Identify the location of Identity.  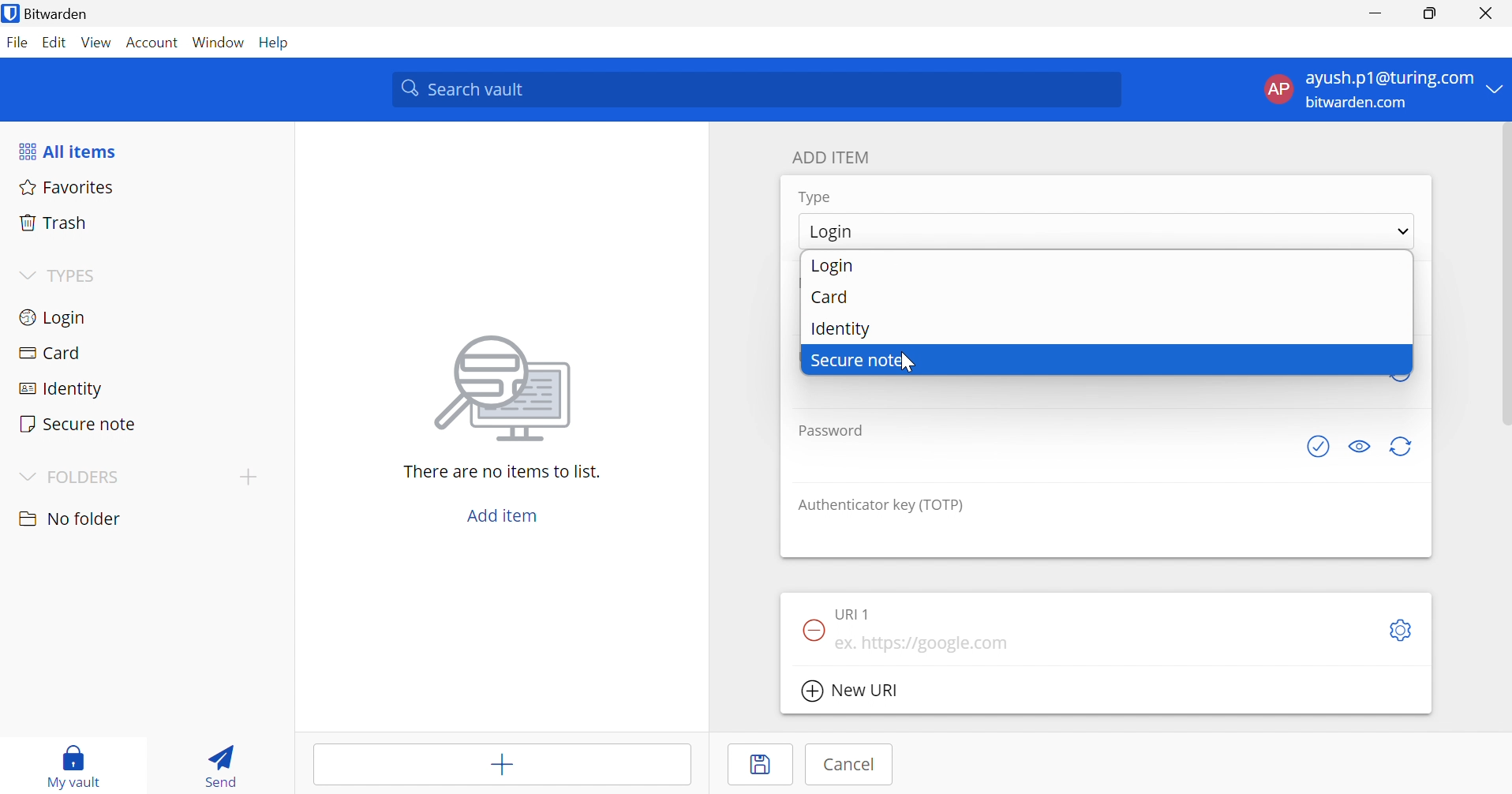
(59, 389).